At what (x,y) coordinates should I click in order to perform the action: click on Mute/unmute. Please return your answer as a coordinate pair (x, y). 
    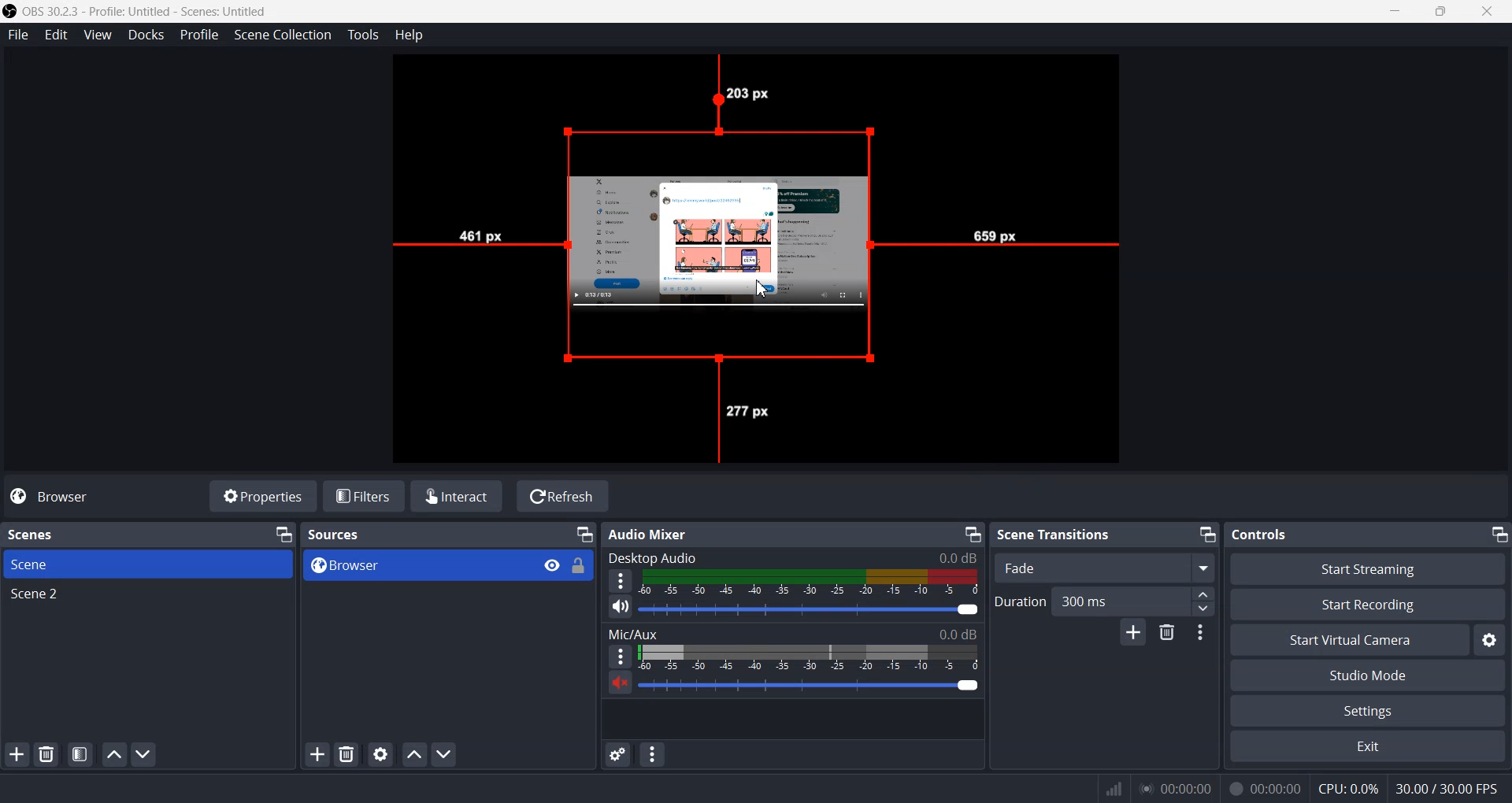
    Looking at the image, I should click on (620, 605).